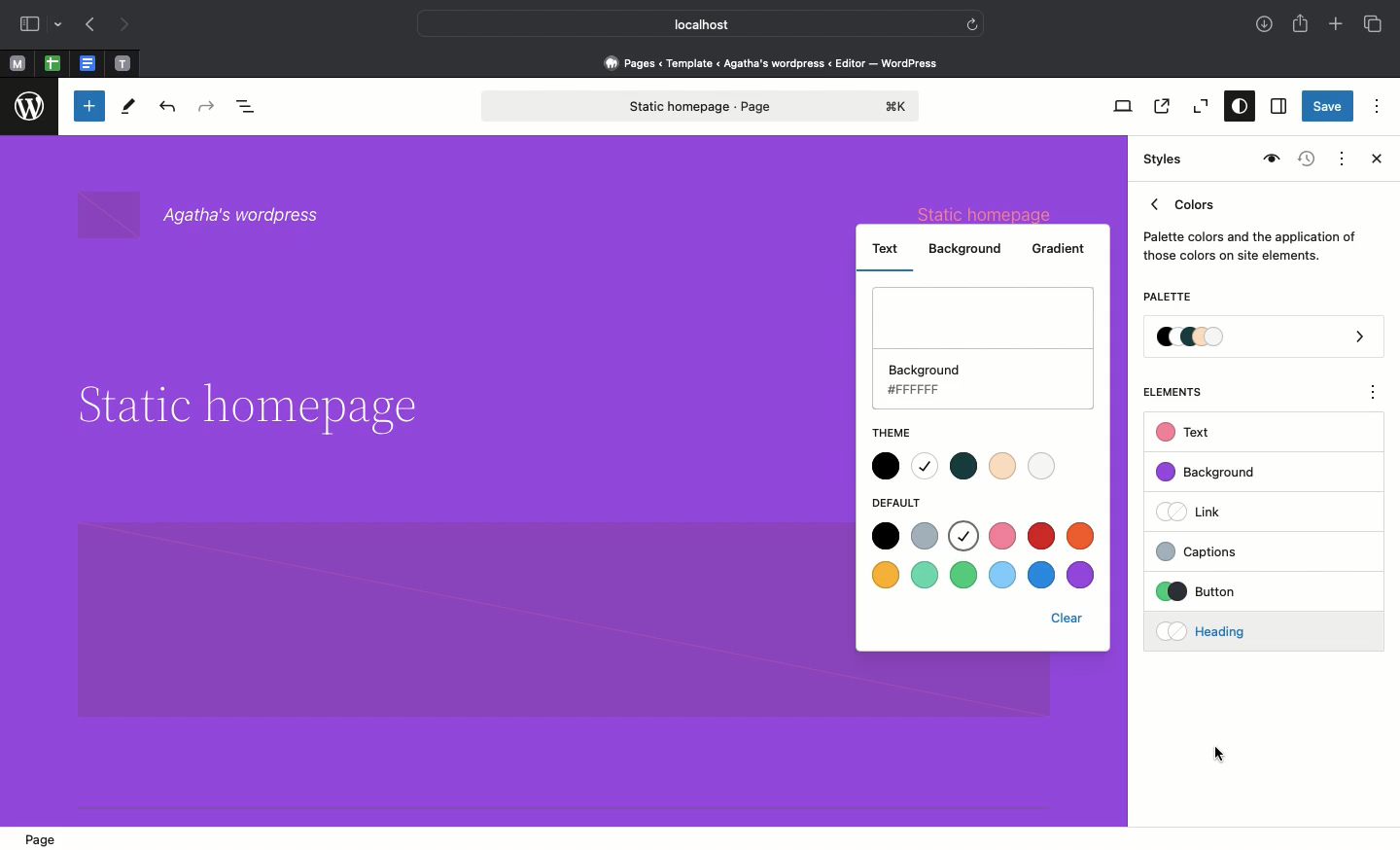  What do you see at coordinates (30, 107) in the screenshot?
I see `wordpress` at bounding box center [30, 107].